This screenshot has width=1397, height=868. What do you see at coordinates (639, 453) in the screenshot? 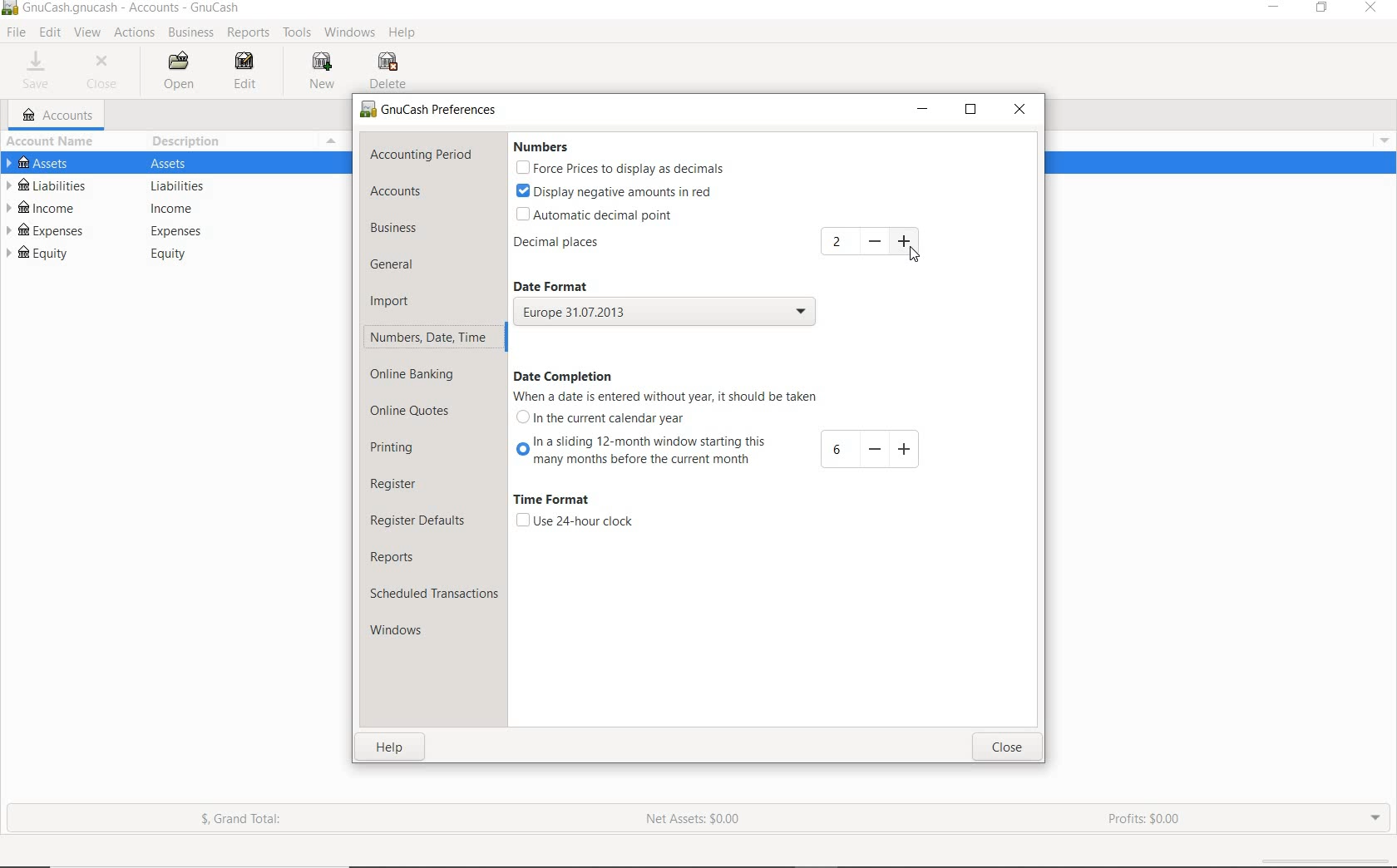
I see `in a sliding 12-month window starting this many months before the current month` at bounding box center [639, 453].